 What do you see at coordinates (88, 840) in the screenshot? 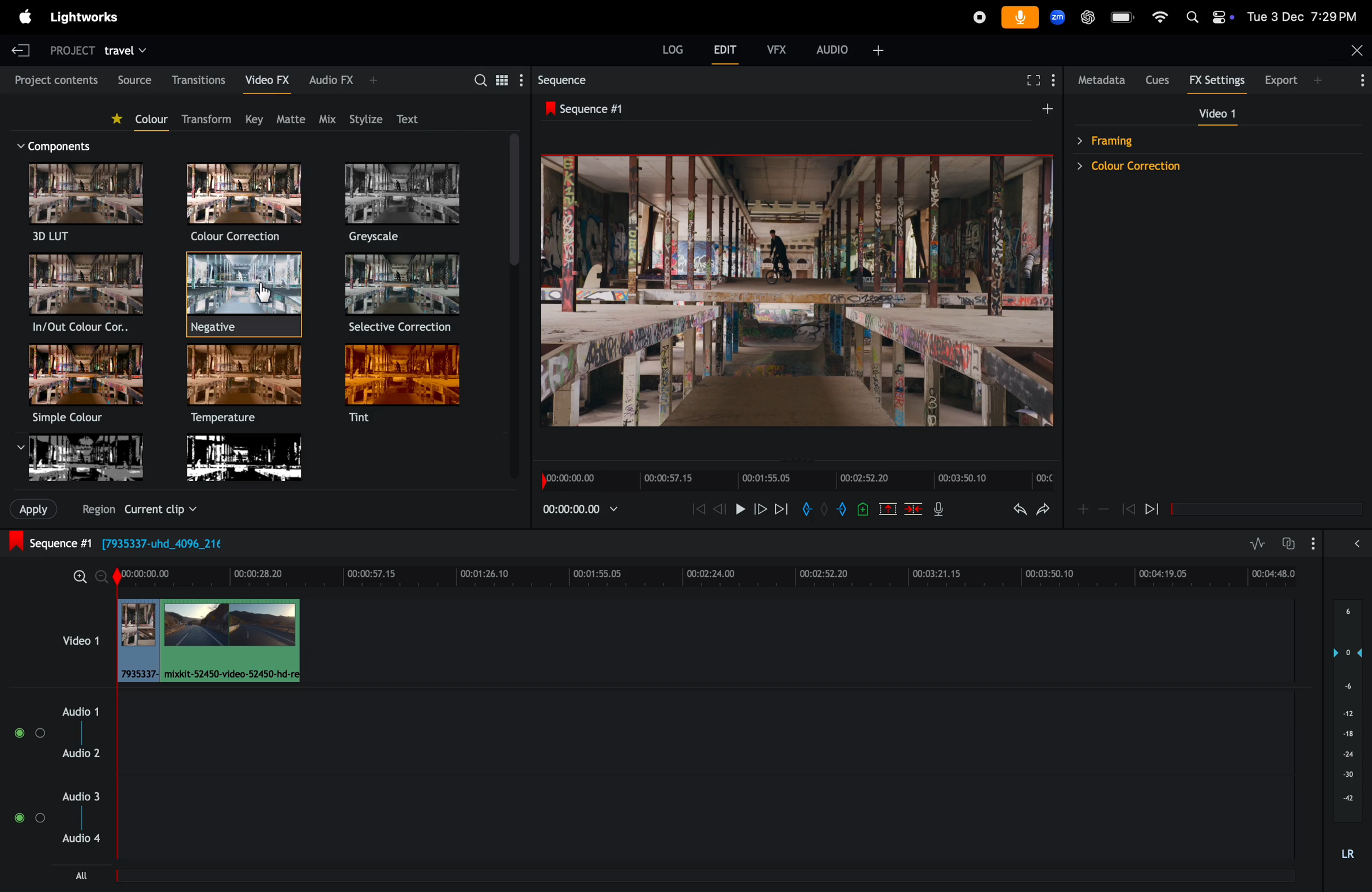
I see `audio 4` at bounding box center [88, 840].